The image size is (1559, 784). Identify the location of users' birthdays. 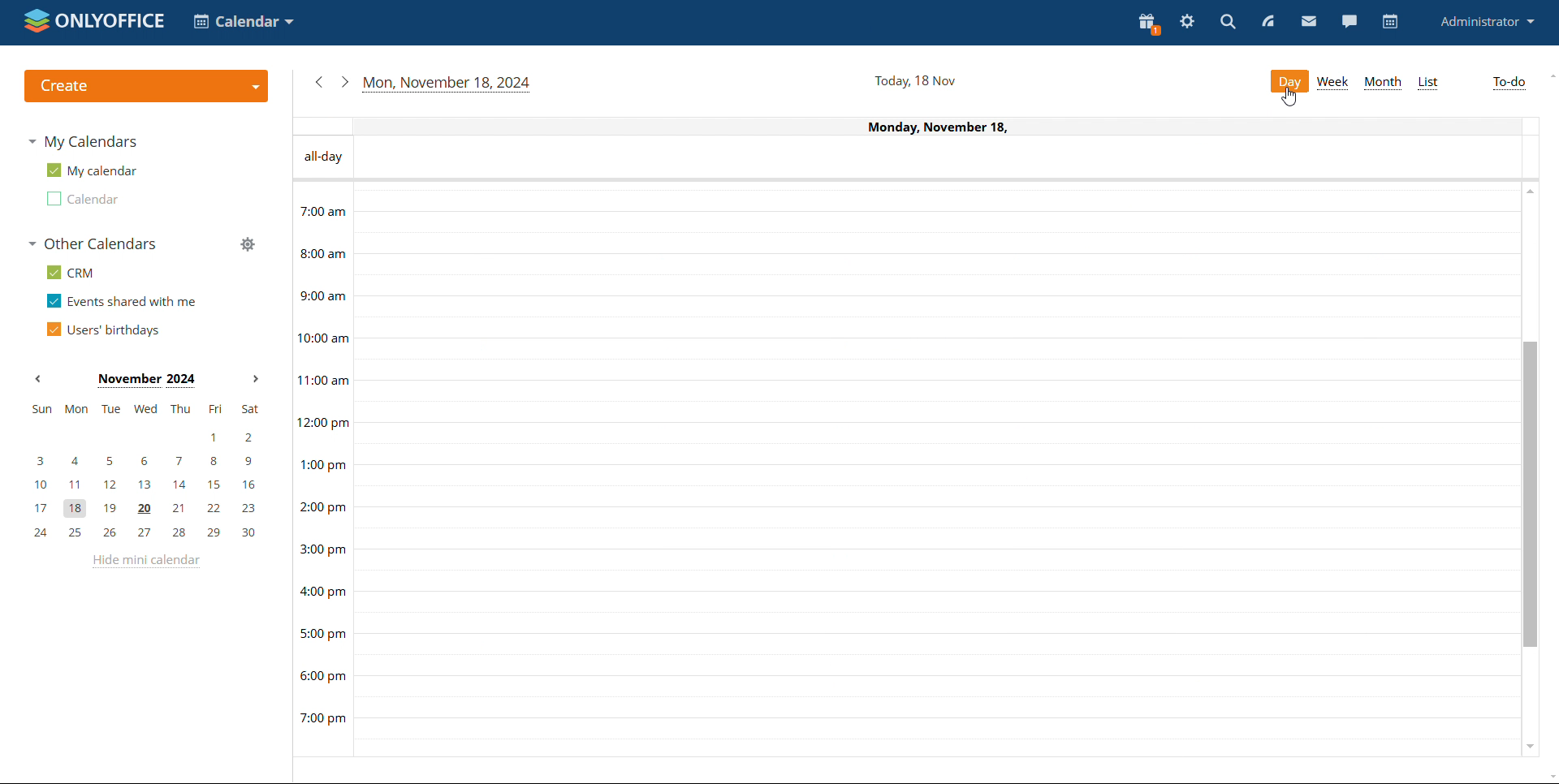
(103, 330).